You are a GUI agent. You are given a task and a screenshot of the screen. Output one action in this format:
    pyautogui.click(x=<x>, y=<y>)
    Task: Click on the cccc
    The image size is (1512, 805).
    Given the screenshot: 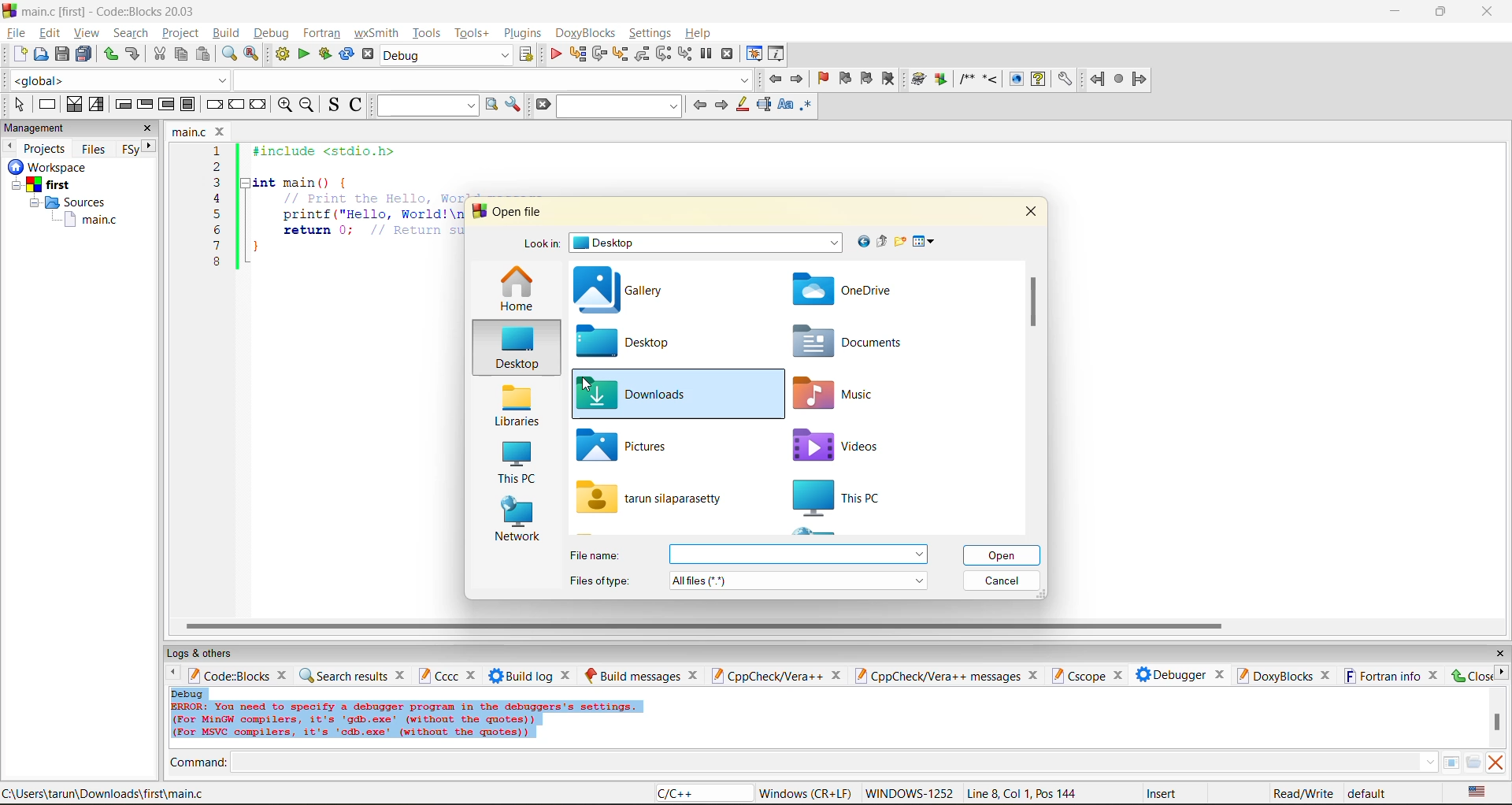 What is the action you would take?
    pyautogui.click(x=438, y=675)
    